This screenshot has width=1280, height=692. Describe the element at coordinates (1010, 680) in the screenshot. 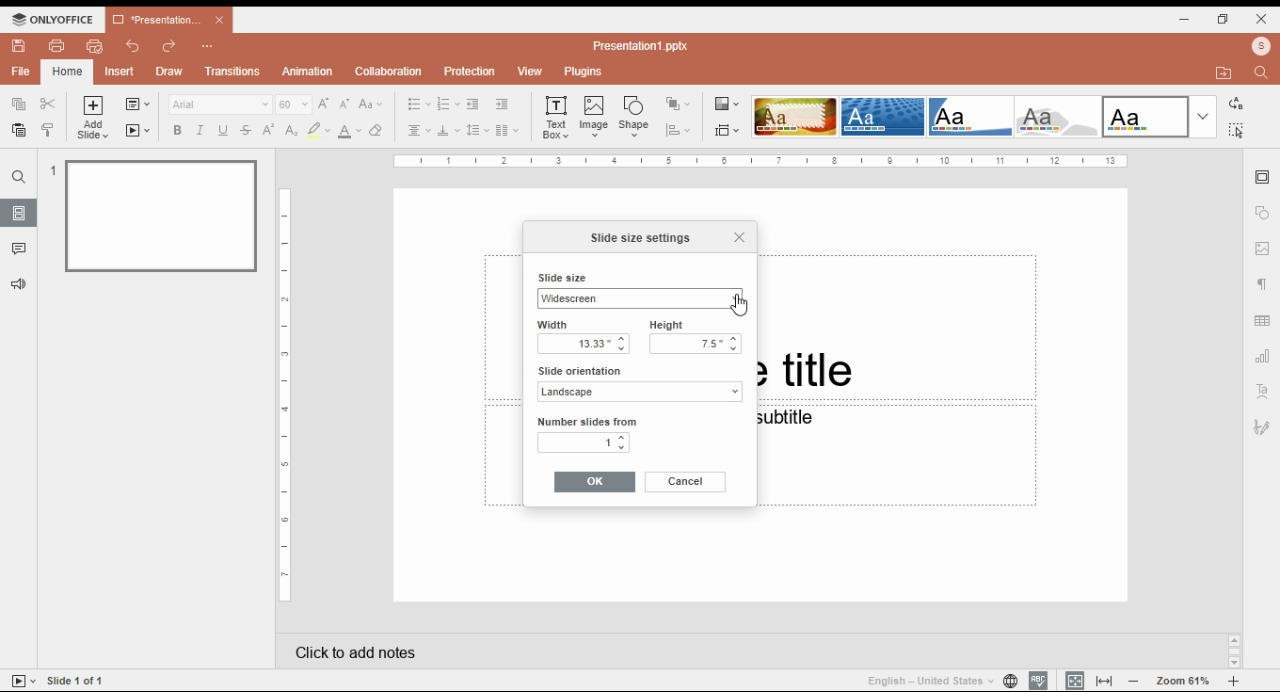

I see `set document language` at that location.